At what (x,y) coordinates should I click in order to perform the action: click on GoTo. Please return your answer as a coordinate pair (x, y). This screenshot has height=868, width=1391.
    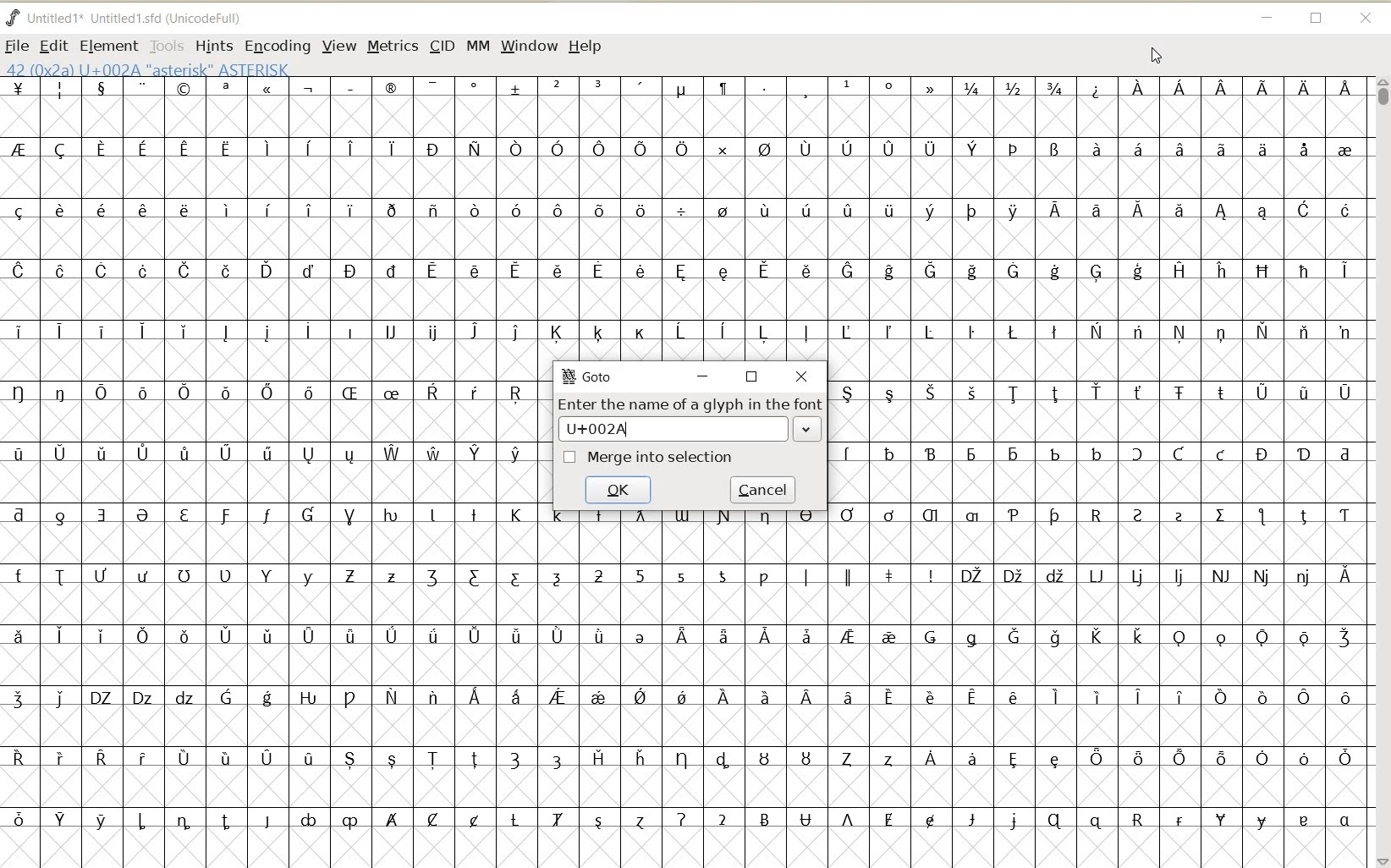
    Looking at the image, I should click on (589, 379).